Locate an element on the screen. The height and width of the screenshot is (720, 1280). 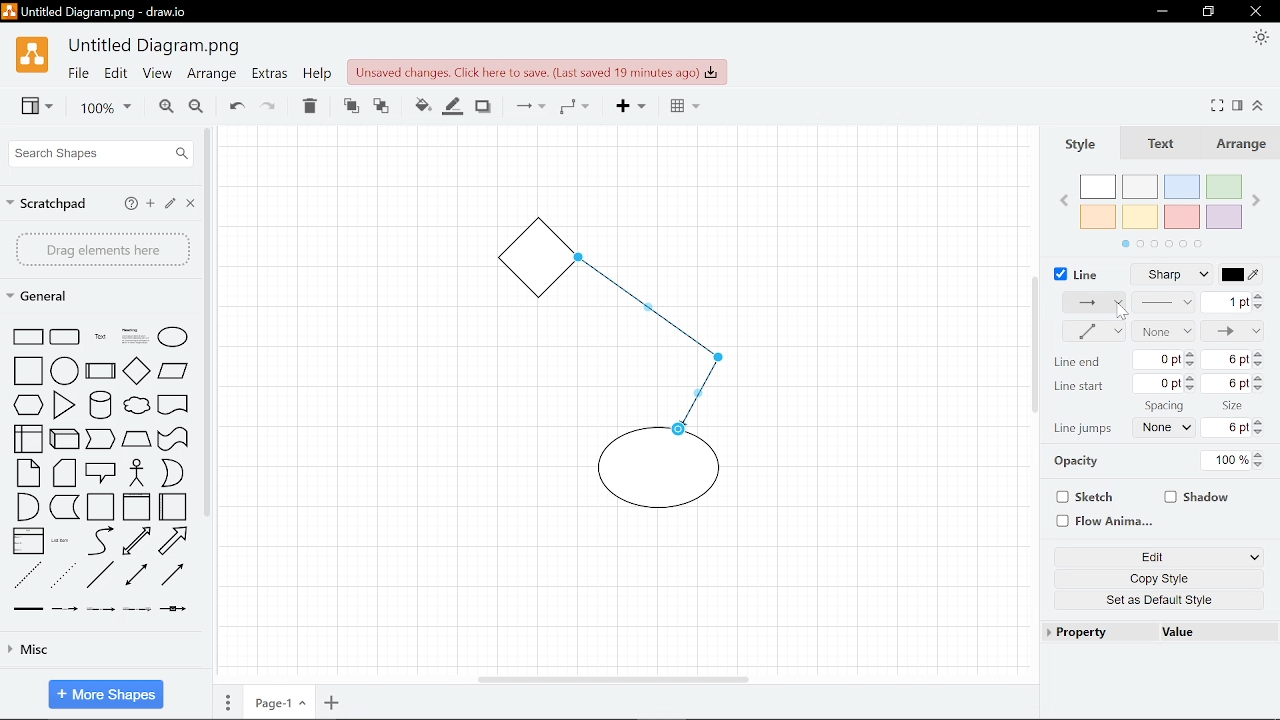
shape is located at coordinates (28, 473).